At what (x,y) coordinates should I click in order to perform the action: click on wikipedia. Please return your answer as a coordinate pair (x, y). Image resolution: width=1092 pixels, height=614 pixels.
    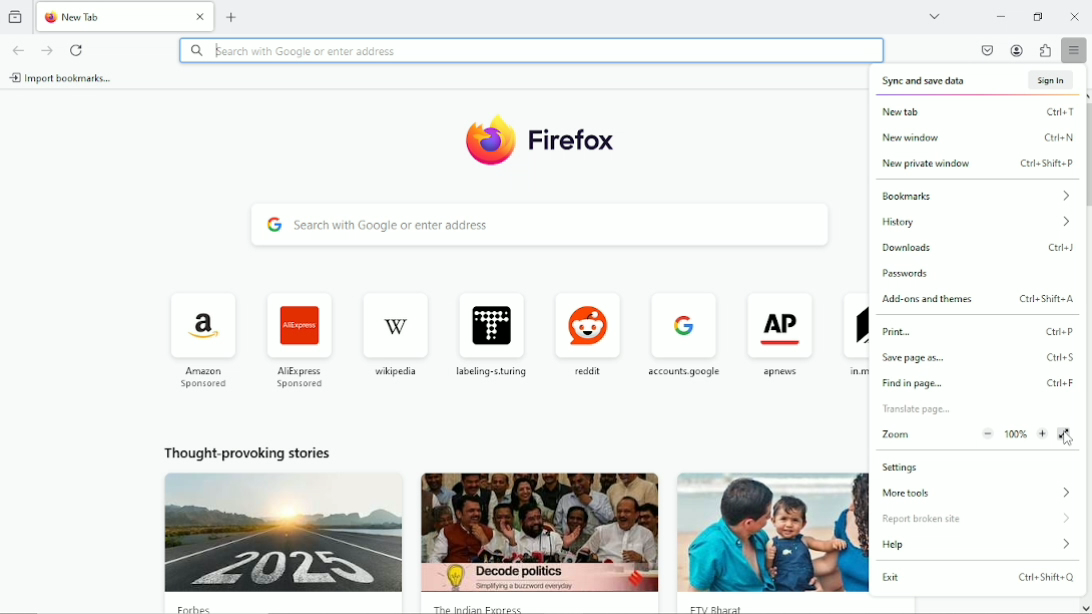
    Looking at the image, I should click on (392, 331).